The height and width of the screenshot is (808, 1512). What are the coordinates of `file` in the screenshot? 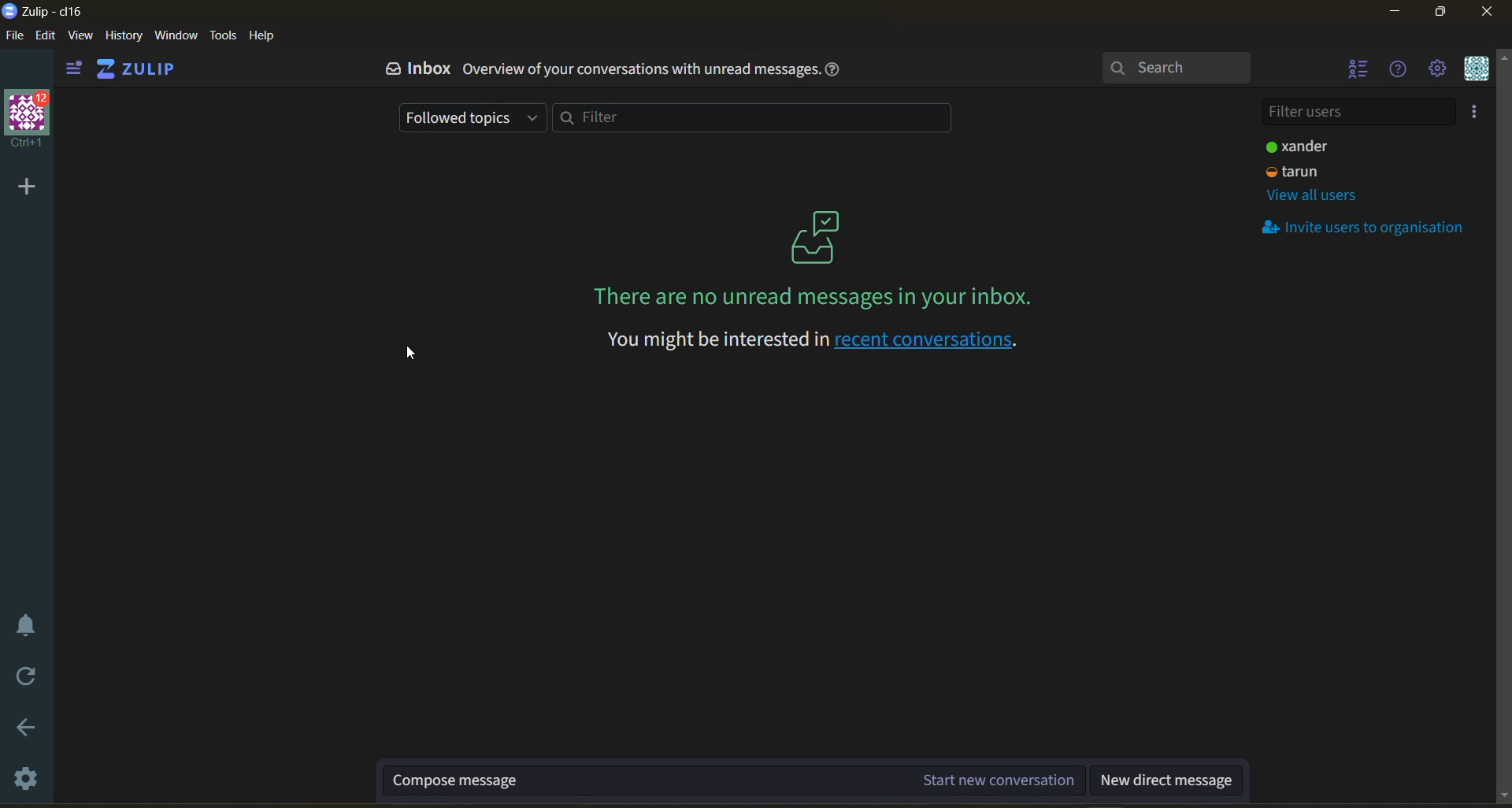 It's located at (17, 35).